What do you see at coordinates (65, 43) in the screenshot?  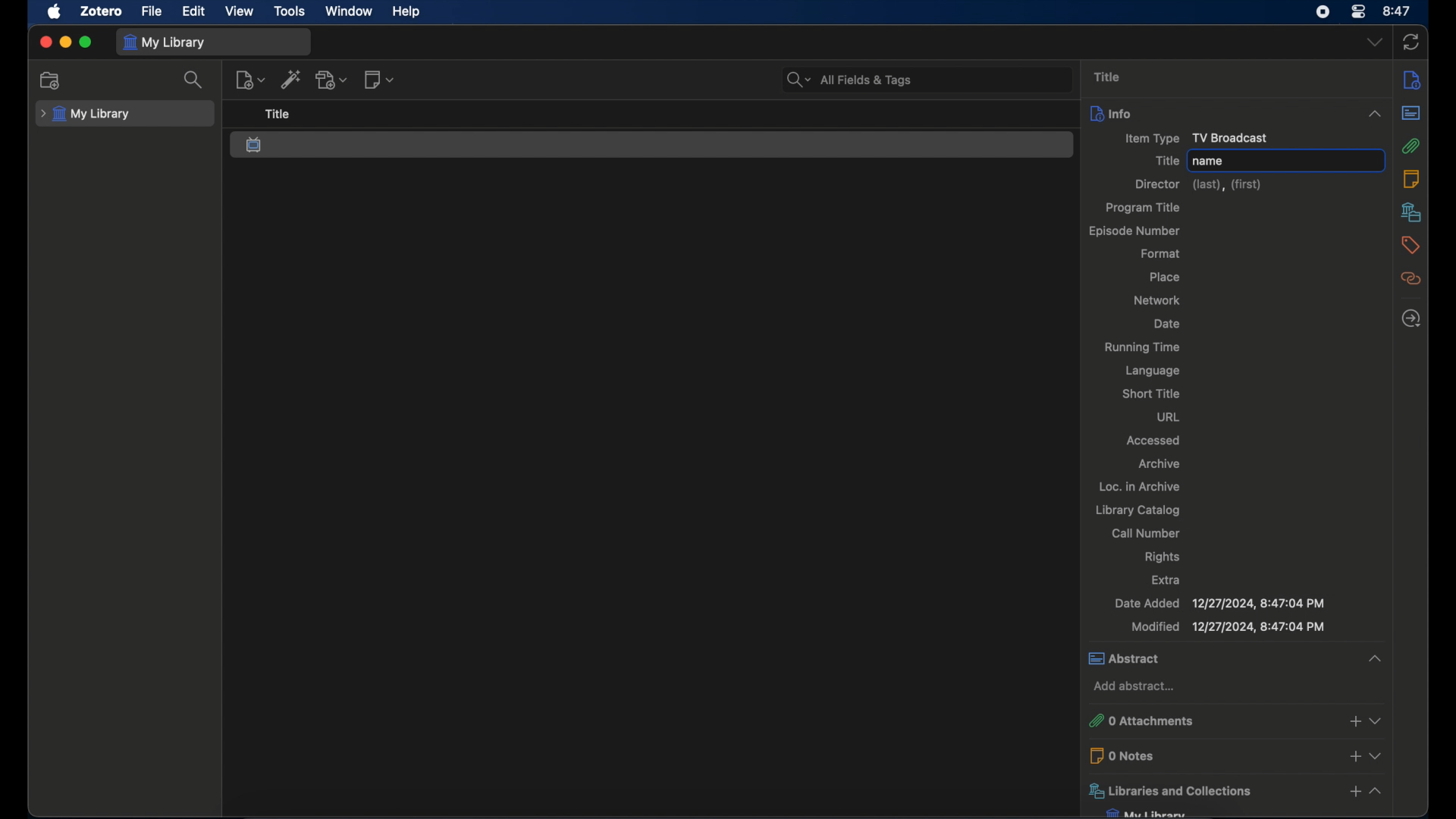 I see `minimize` at bounding box center [65, 43].